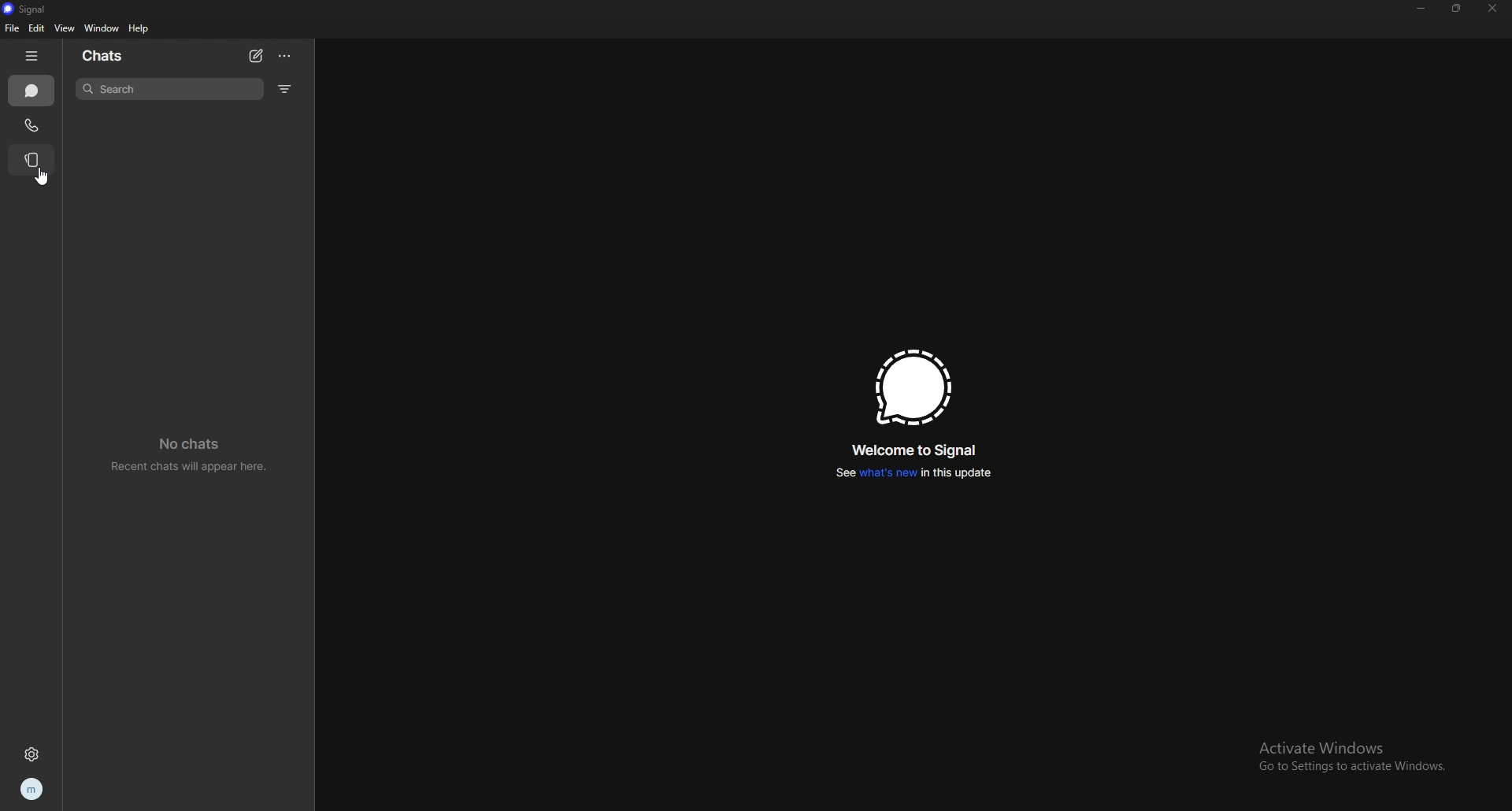  Describe the element at coordinates (12, 28) in the screenshot. I see `file` at that location.